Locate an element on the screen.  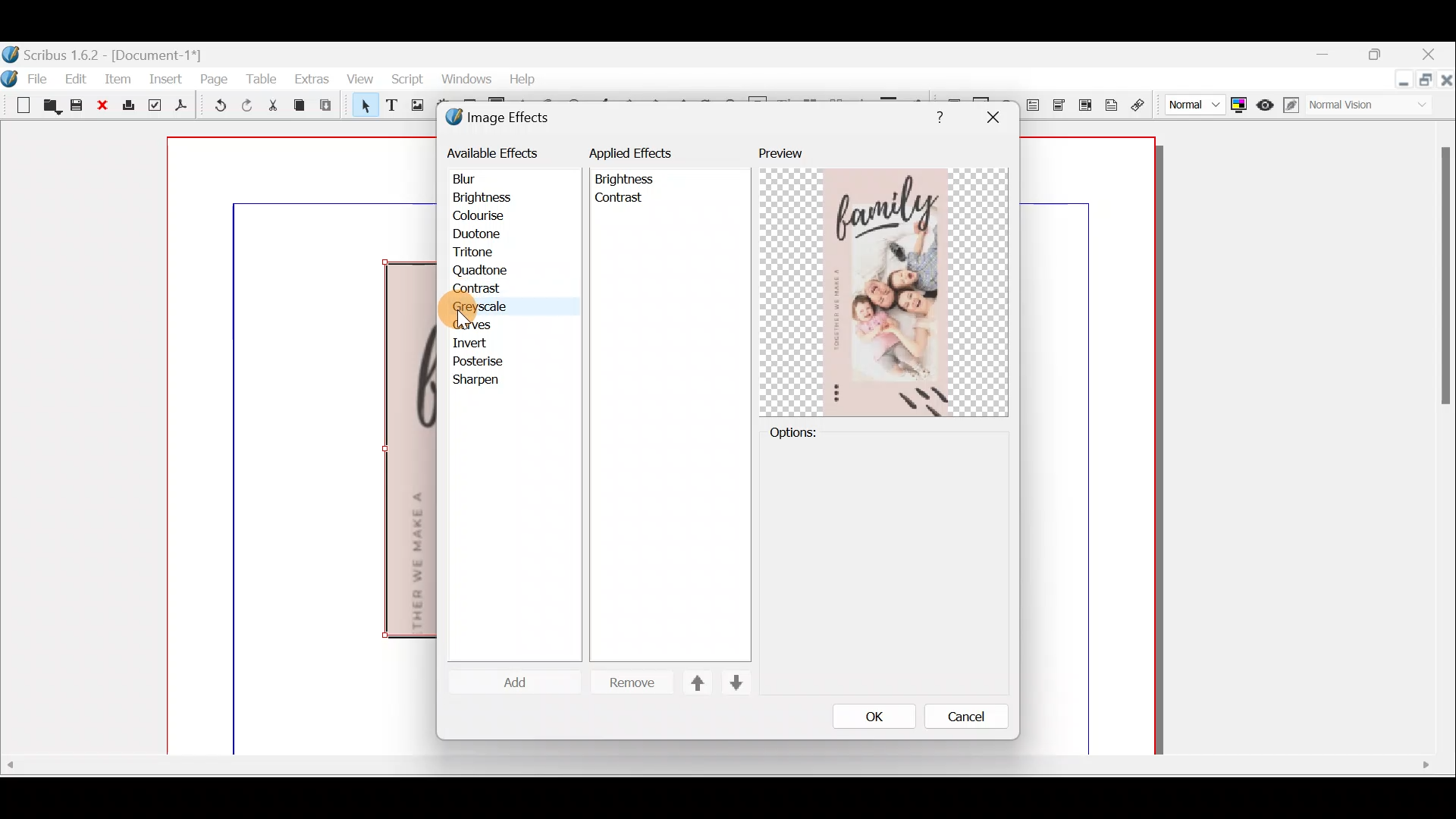
New is located at coordinates (17, 106).